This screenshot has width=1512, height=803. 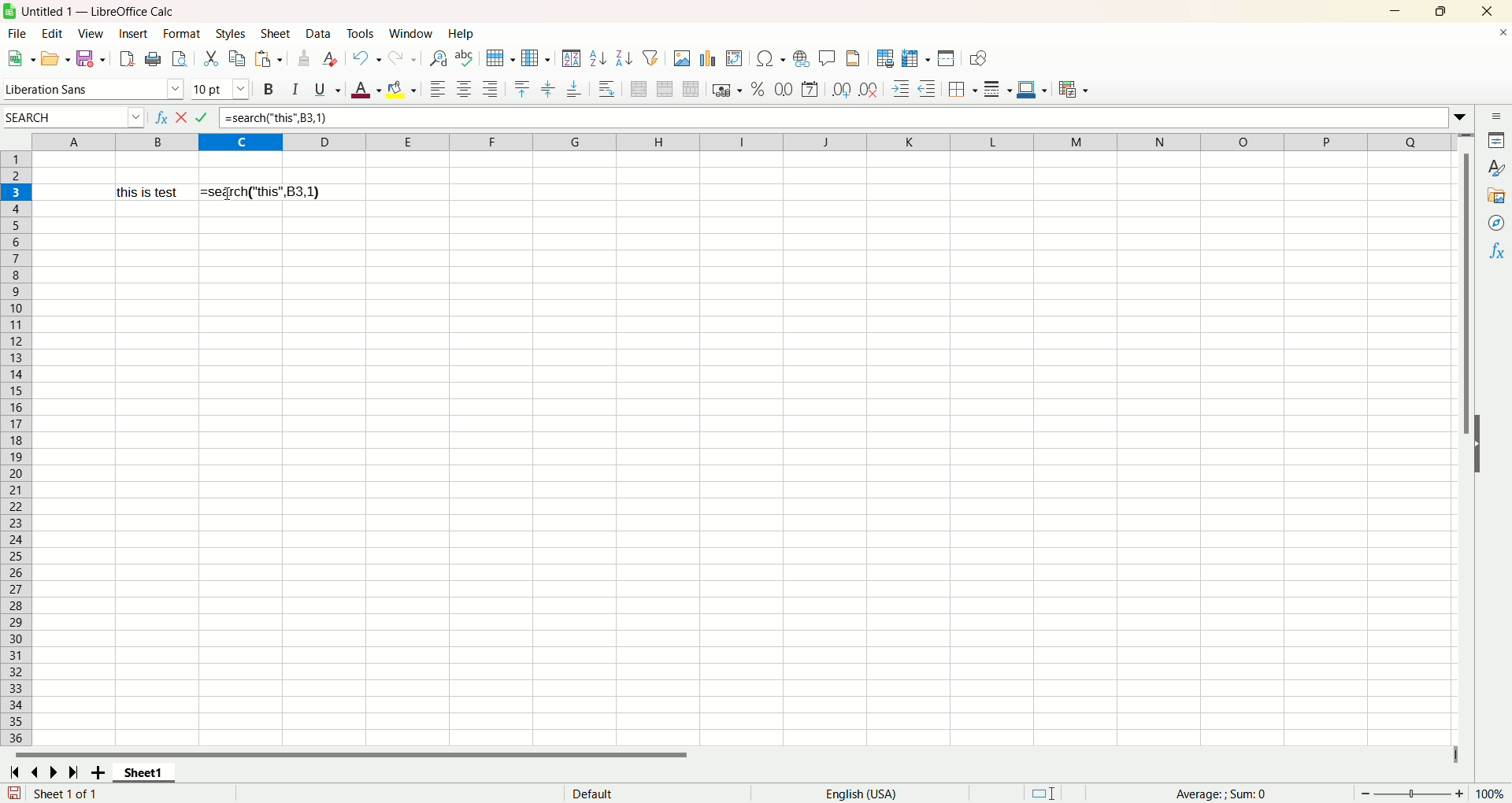 I want to click on column name, so click(x=739, y=142).